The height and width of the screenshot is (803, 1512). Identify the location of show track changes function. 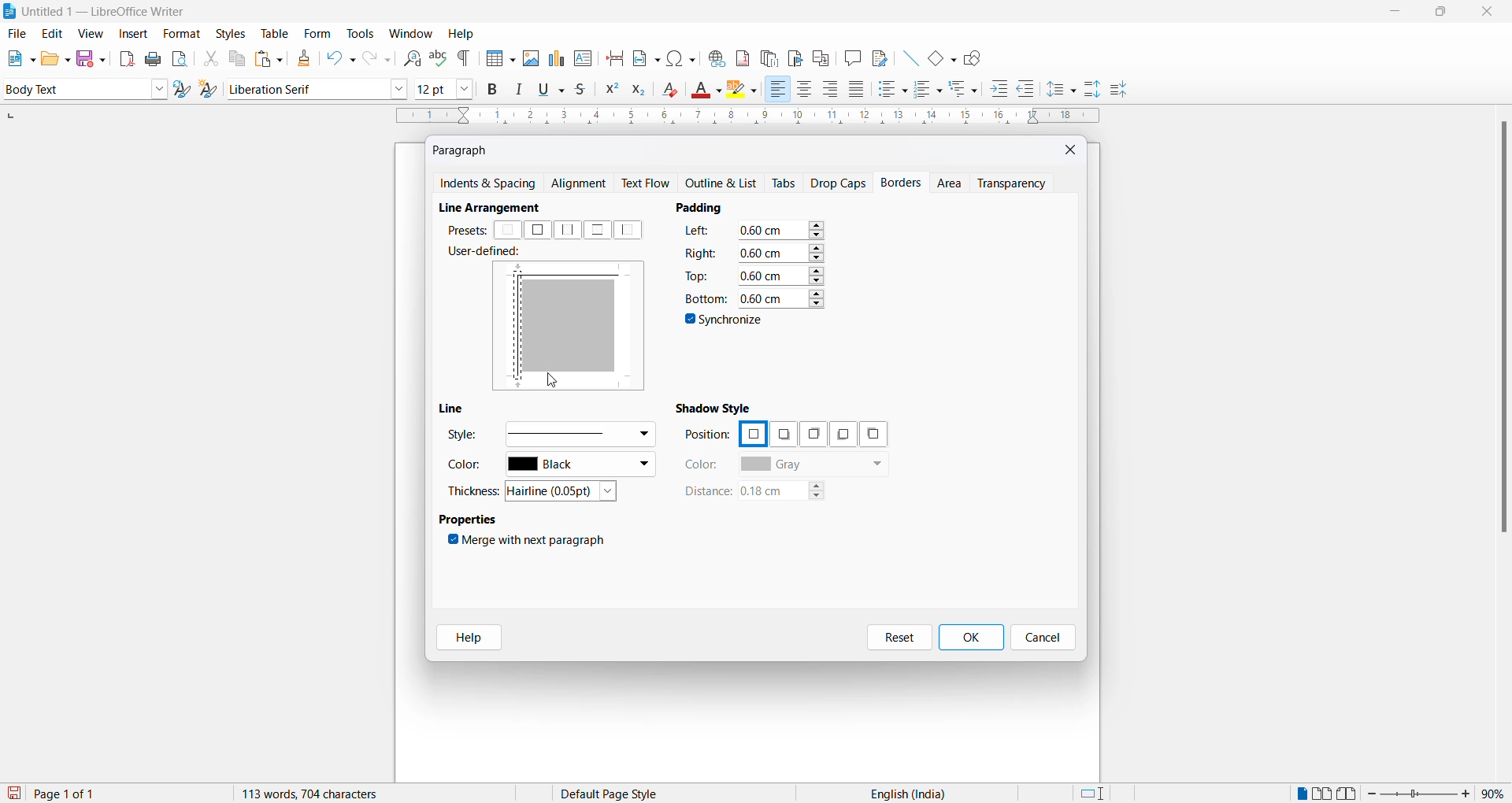
(821, 57).